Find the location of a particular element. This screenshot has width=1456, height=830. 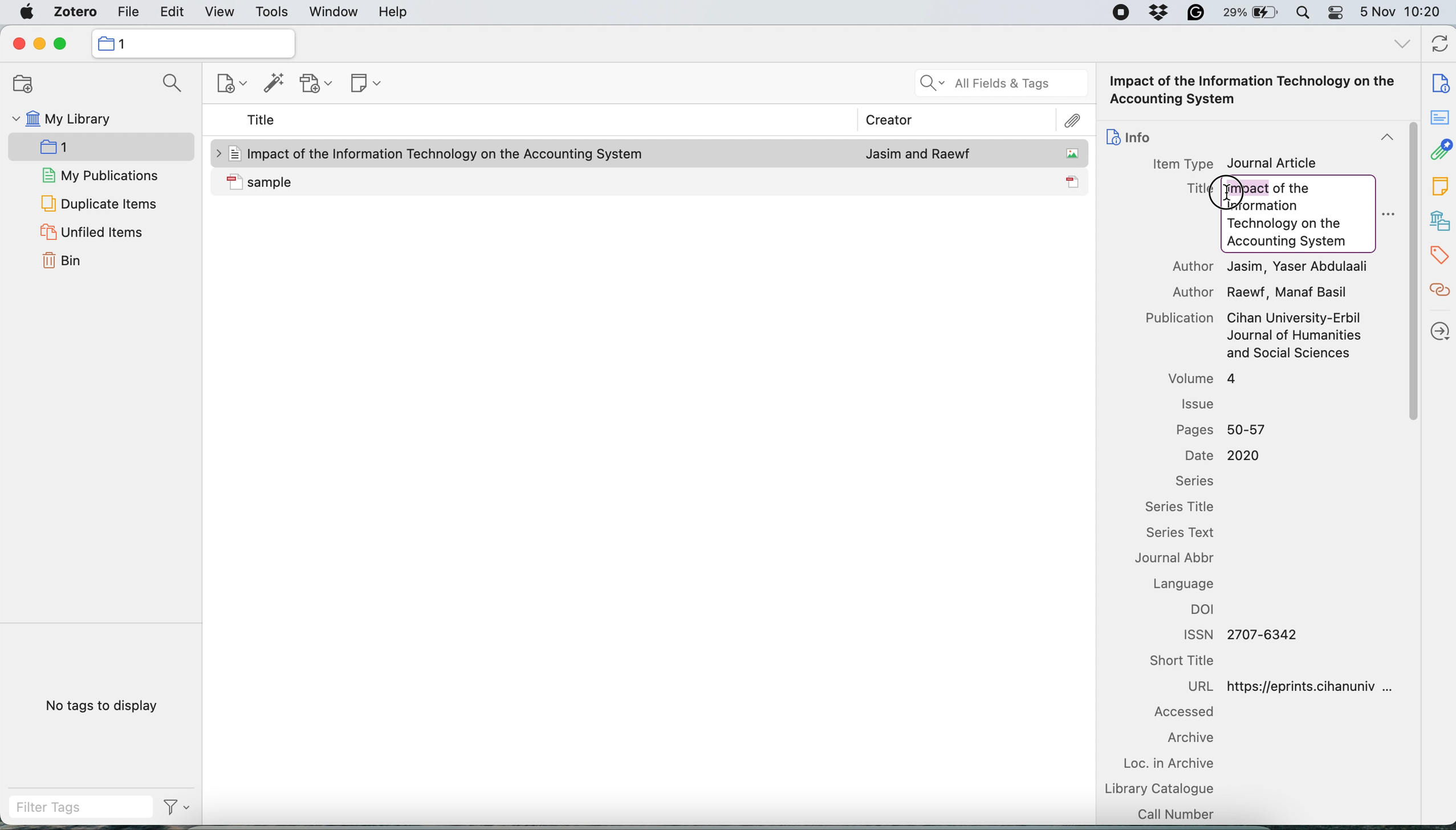

view is located at coordinates (218, 13).